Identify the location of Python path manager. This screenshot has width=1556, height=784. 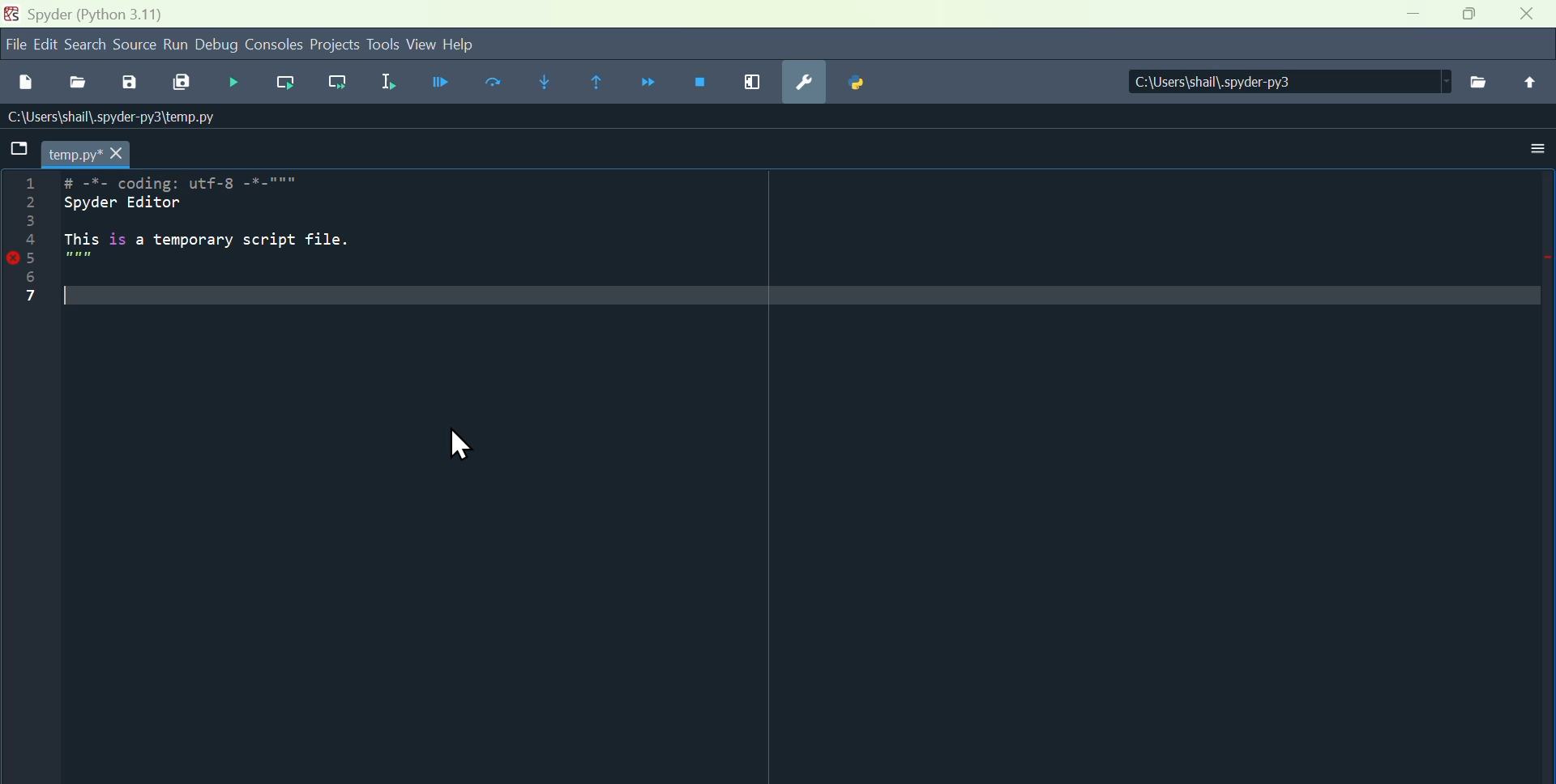
(857, 83).